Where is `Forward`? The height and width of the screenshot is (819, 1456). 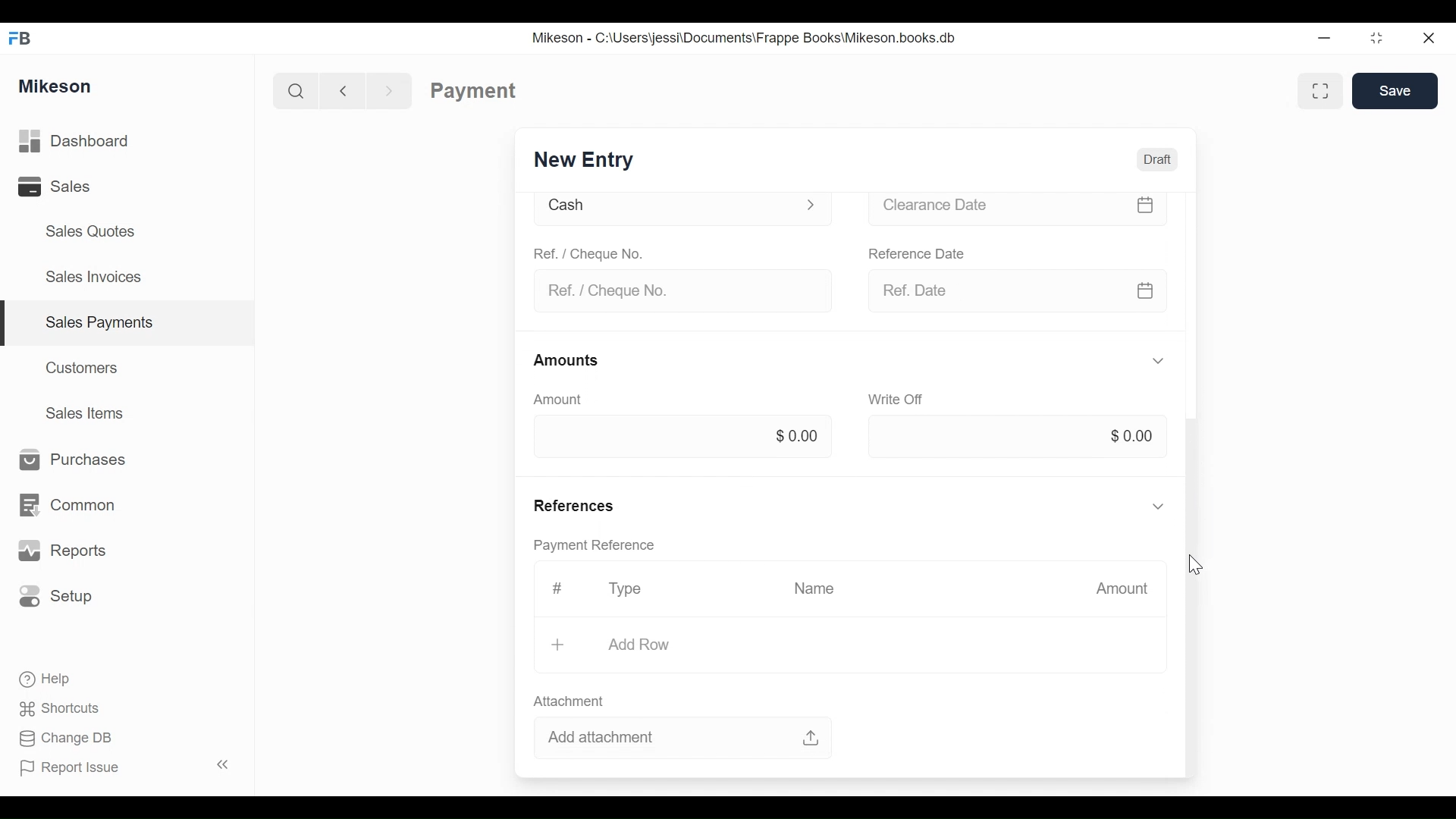
Forward is located at coordinates (394, 89).